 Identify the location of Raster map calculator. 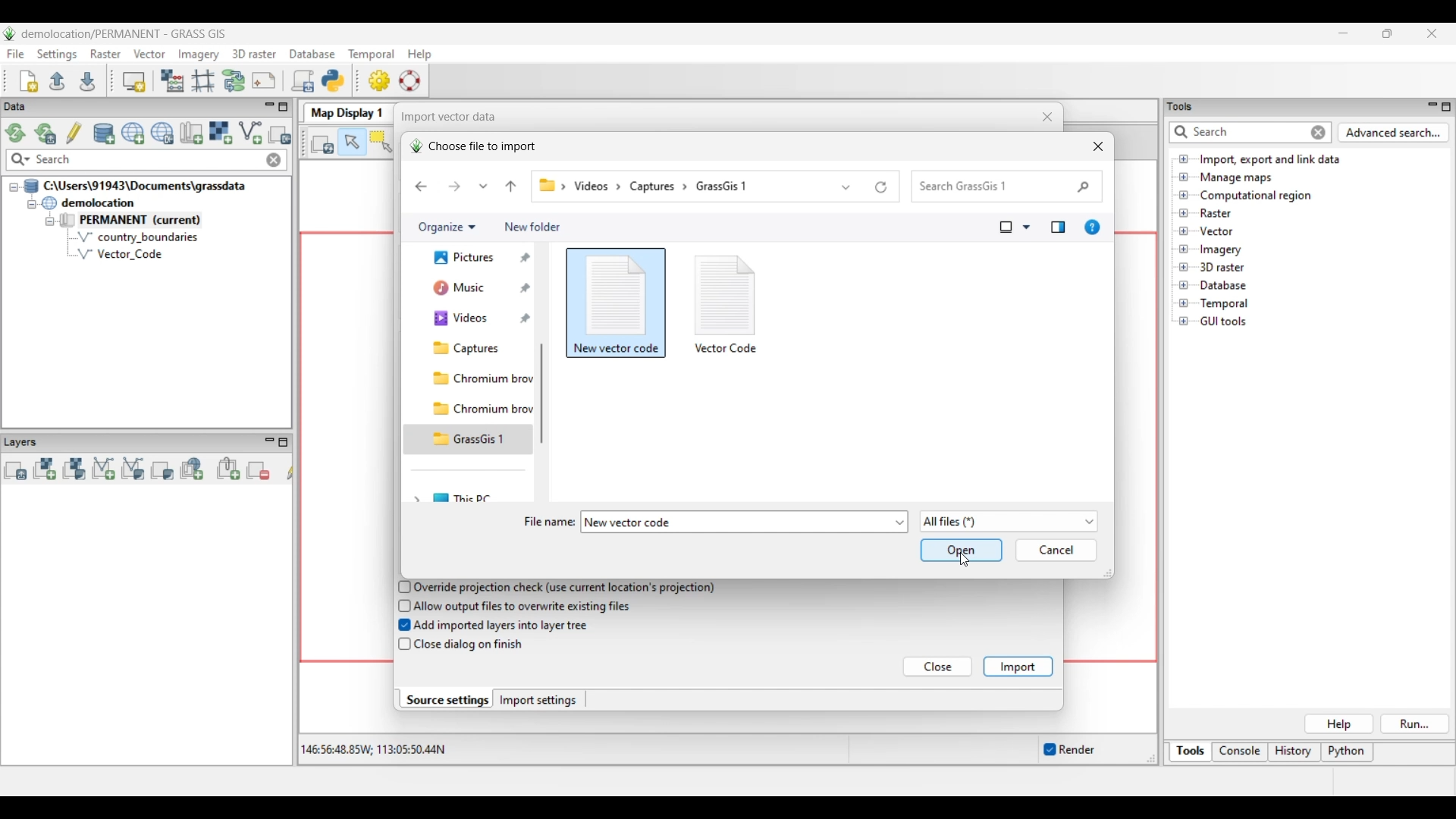
(172, 80).